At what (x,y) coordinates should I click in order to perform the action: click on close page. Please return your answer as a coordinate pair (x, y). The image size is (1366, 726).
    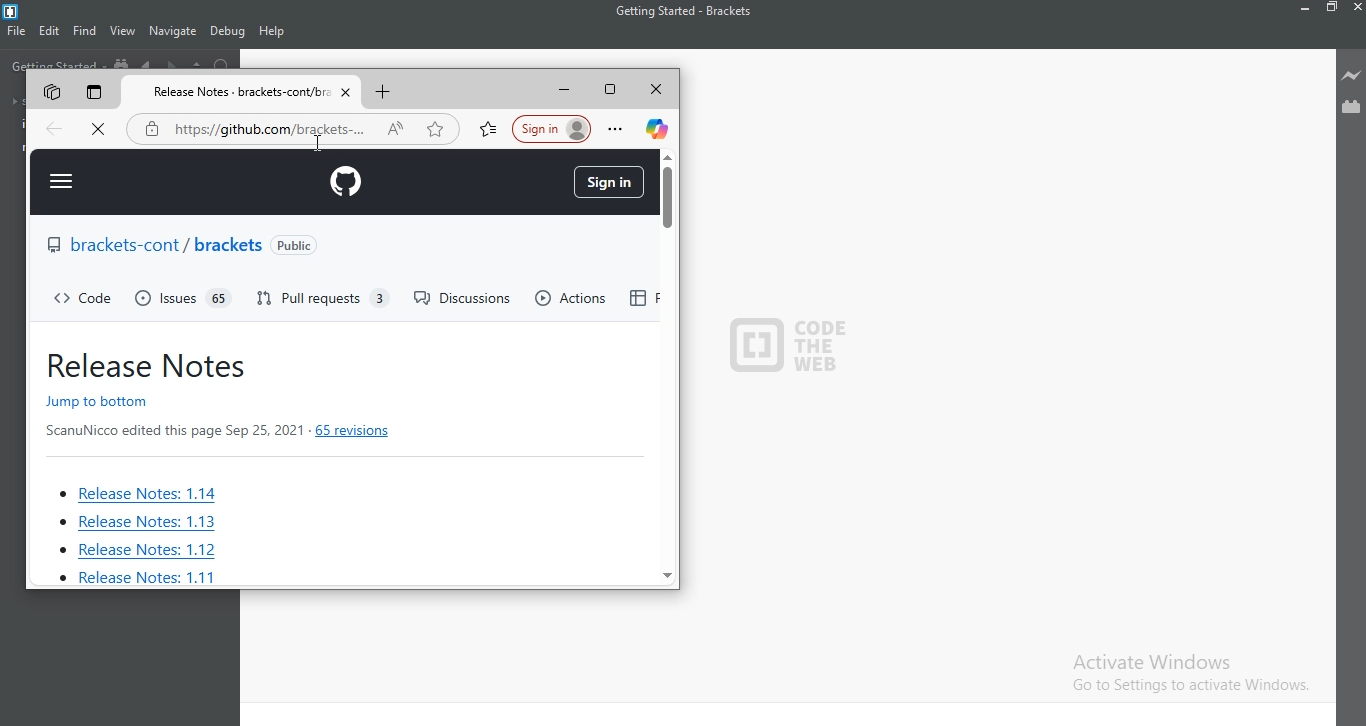
    Looking at the image, I should click on (101, 132).